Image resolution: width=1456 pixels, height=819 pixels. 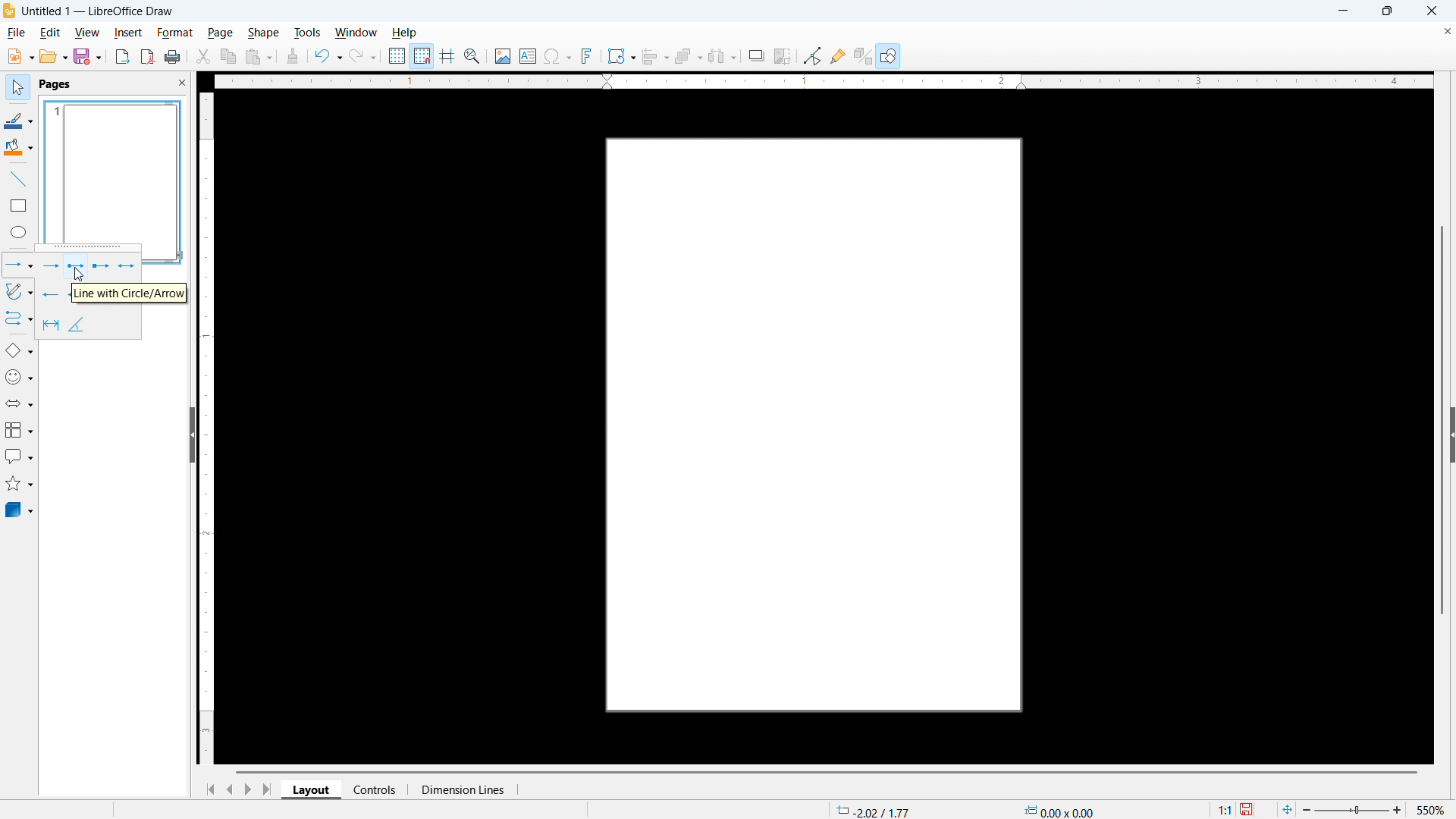 I want to click on Zoom , so click(x=472, y=56).